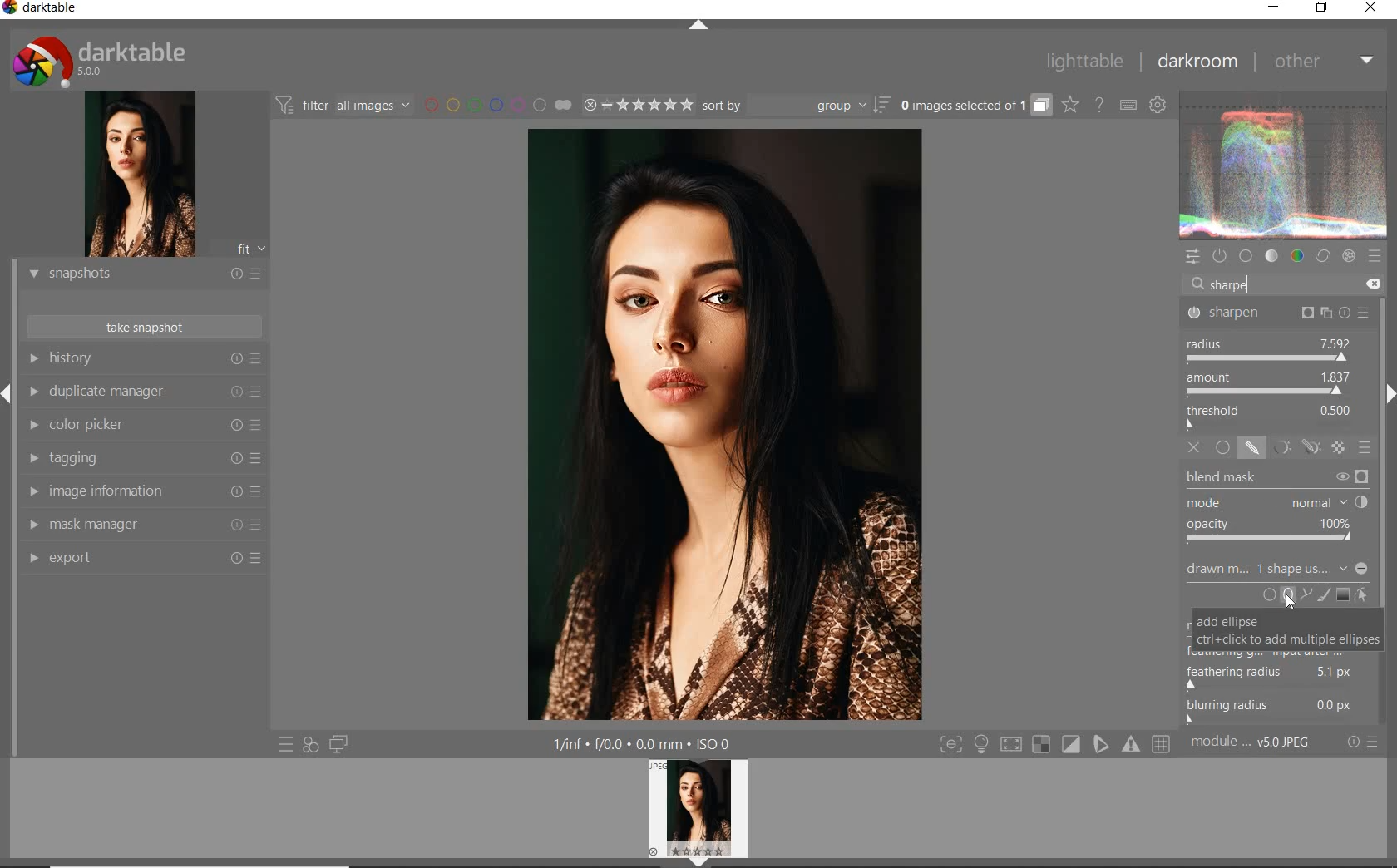  Describe the element at coordinates (1276, 476) in the screenshot. I see `BLEND MASK` at that location.